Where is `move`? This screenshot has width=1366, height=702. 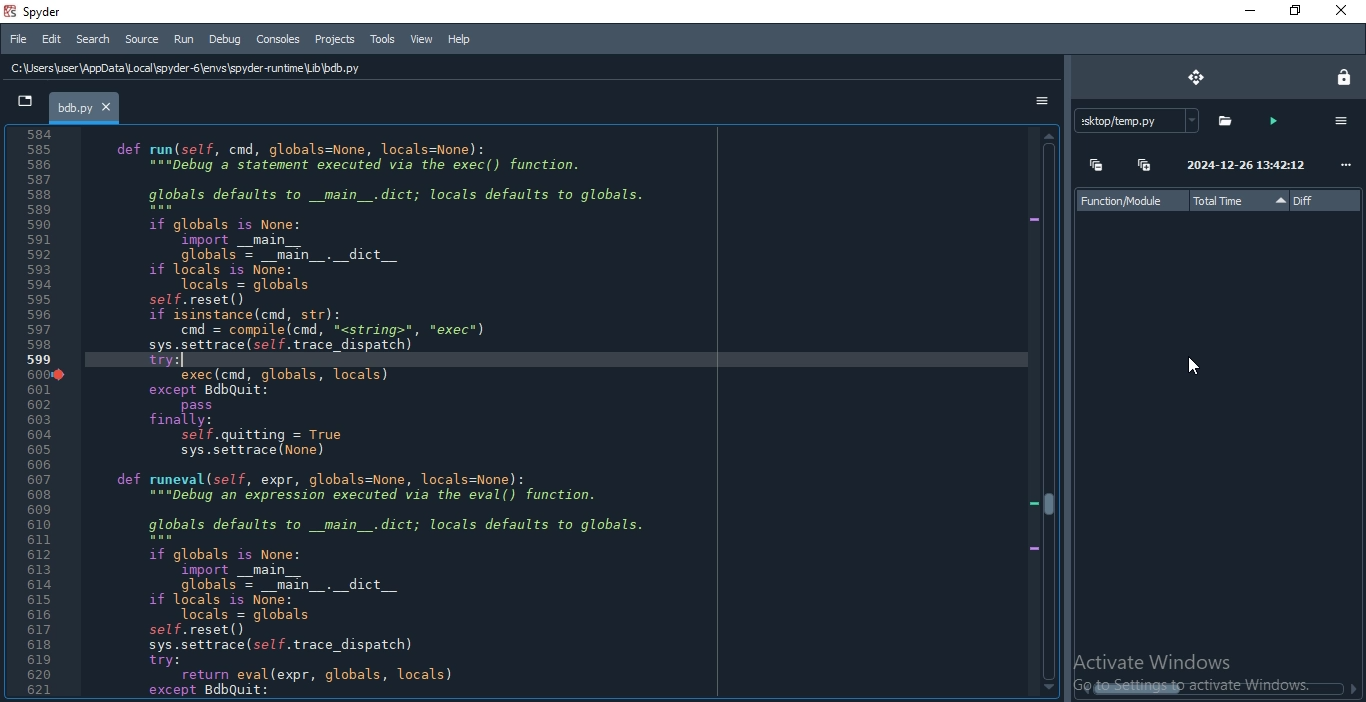
move is located at coordinates (1188, 79).